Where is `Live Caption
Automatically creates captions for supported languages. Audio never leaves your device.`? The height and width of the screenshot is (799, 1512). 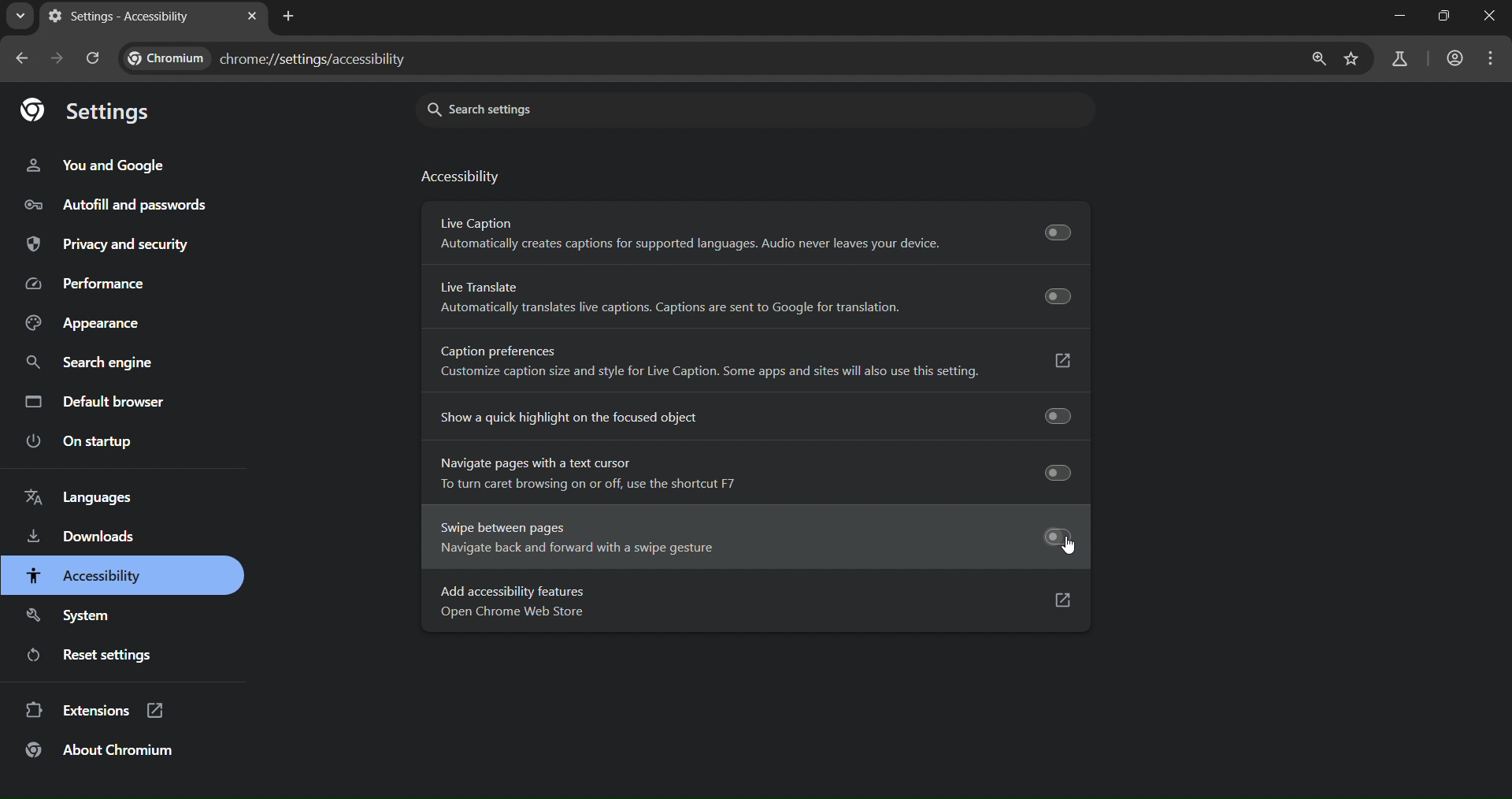 Live Caption
Automatically creates captions for supported languages. Audio never leaves your device. is located at coordinates (755, 232).